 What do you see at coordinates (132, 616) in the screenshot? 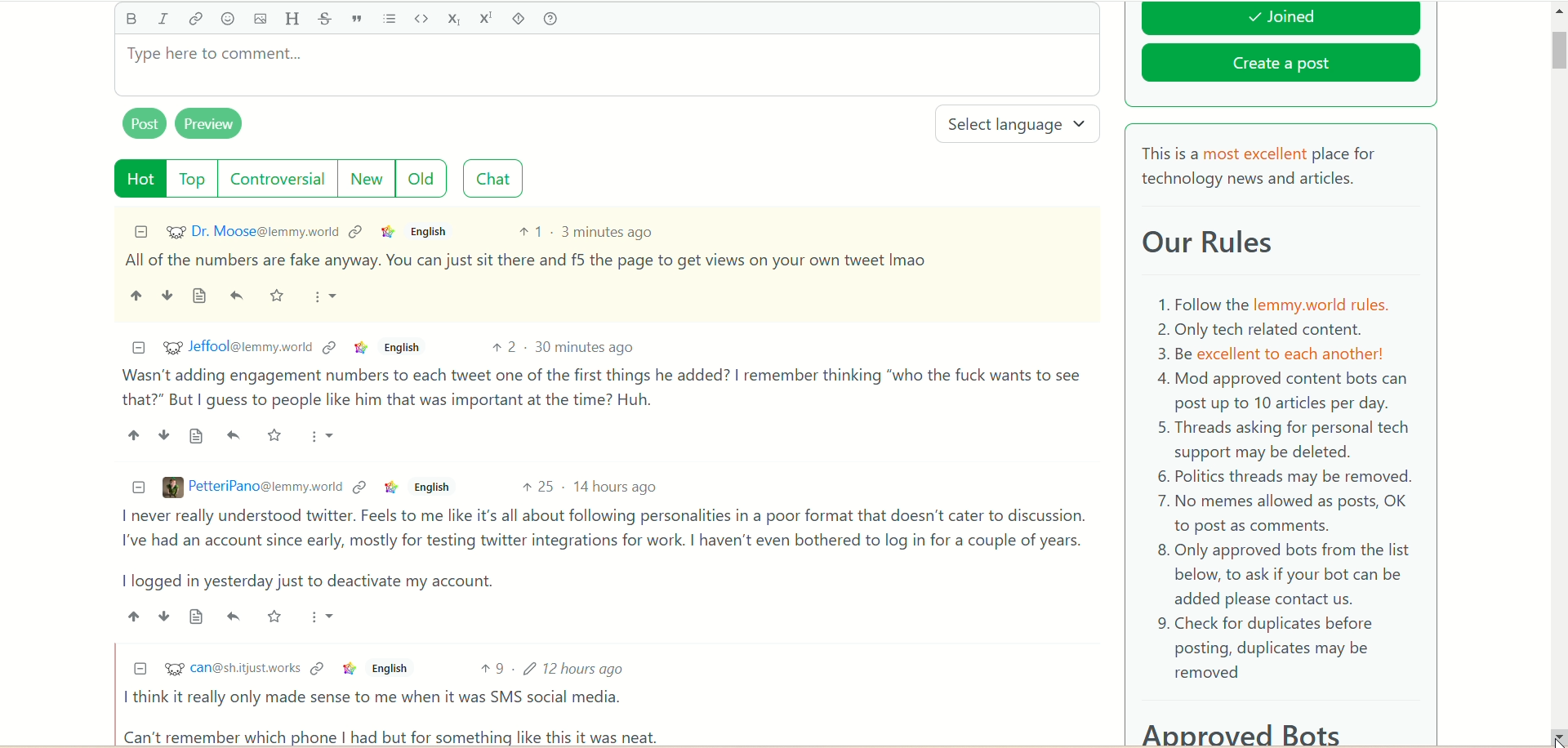
I see `Upvote ` at bounding box center [132, 616].